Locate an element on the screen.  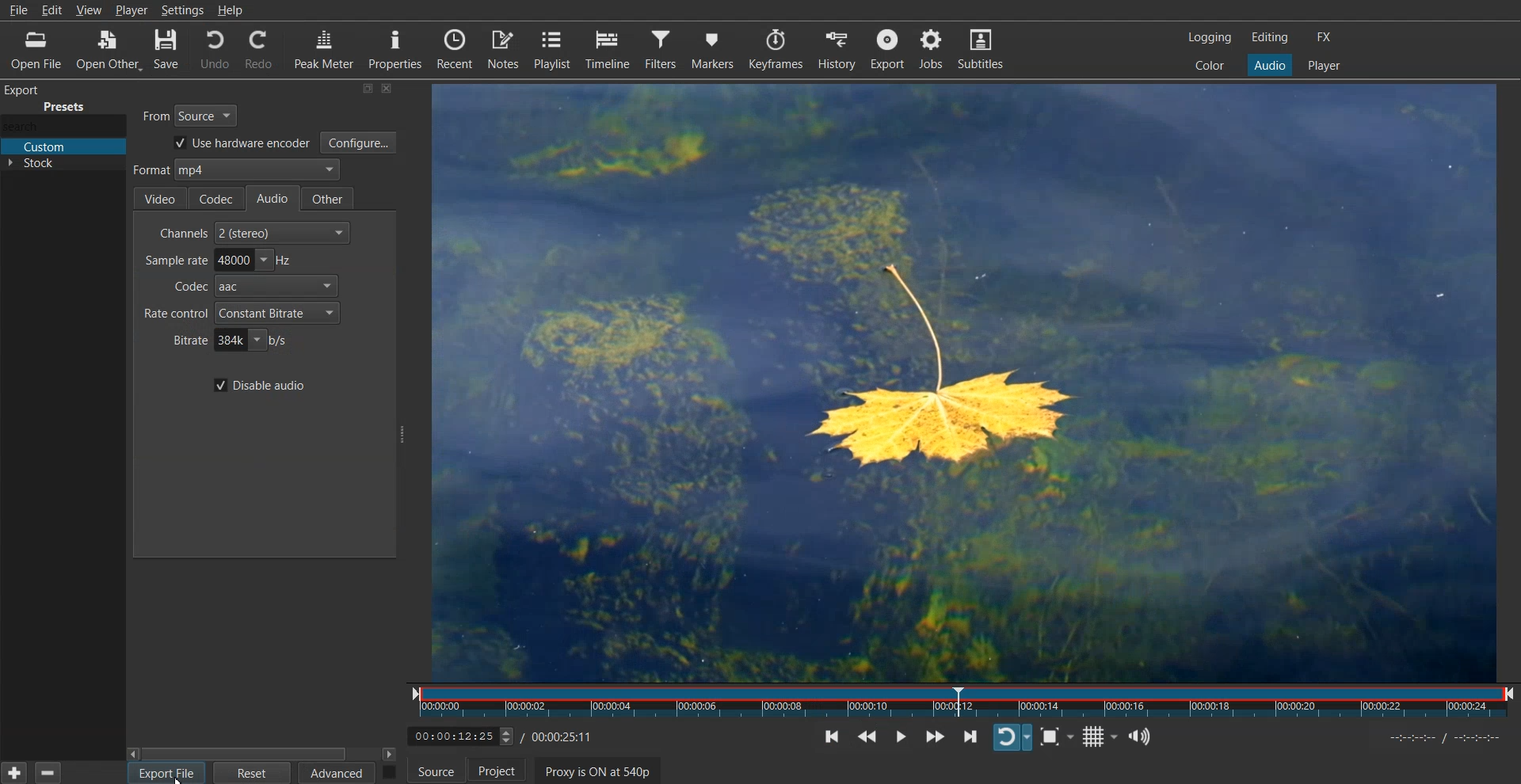
Source is located at coordinates (435, 773).